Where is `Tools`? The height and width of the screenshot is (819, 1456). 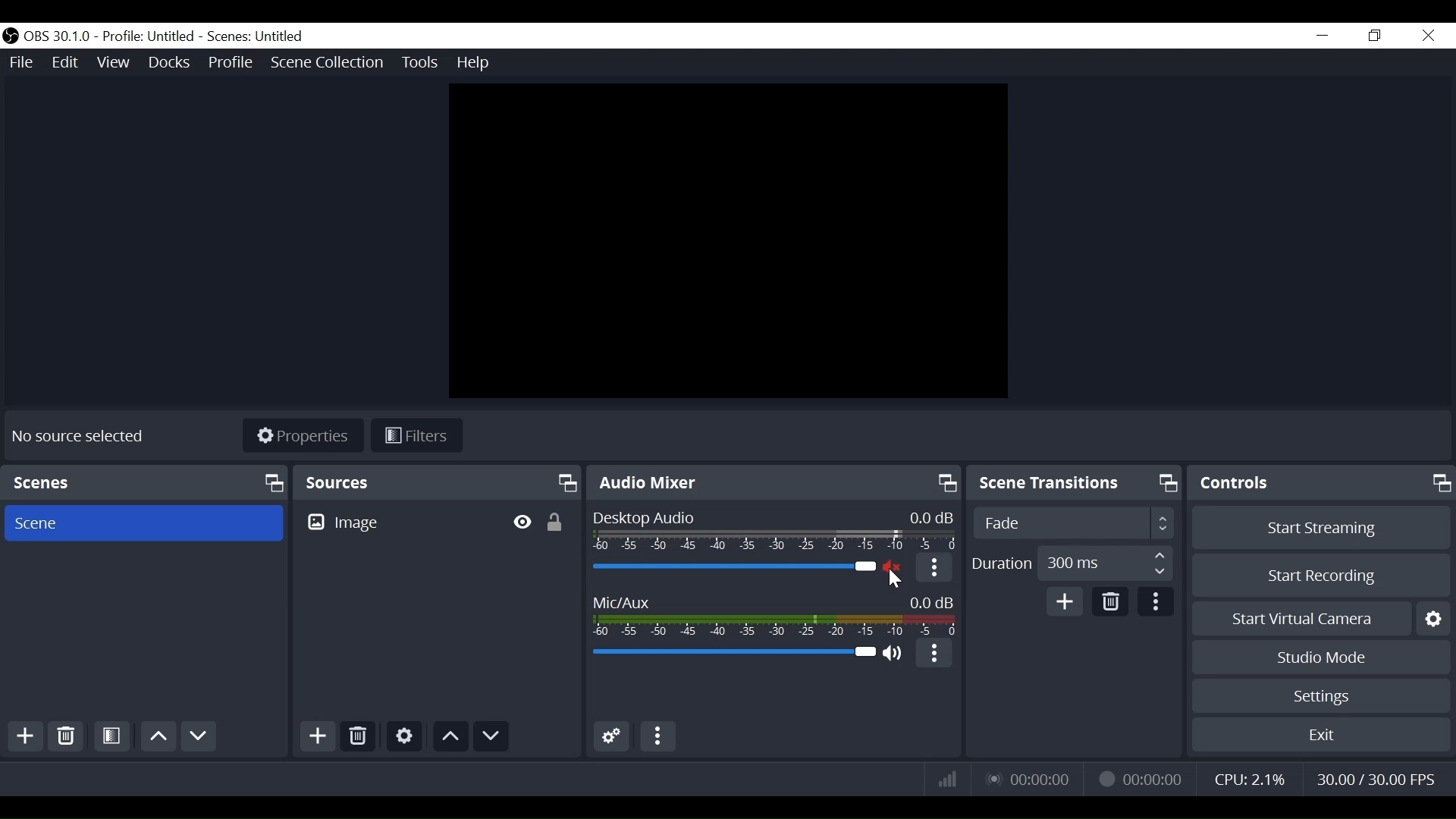
Tools is located at coordinates (422, 64).